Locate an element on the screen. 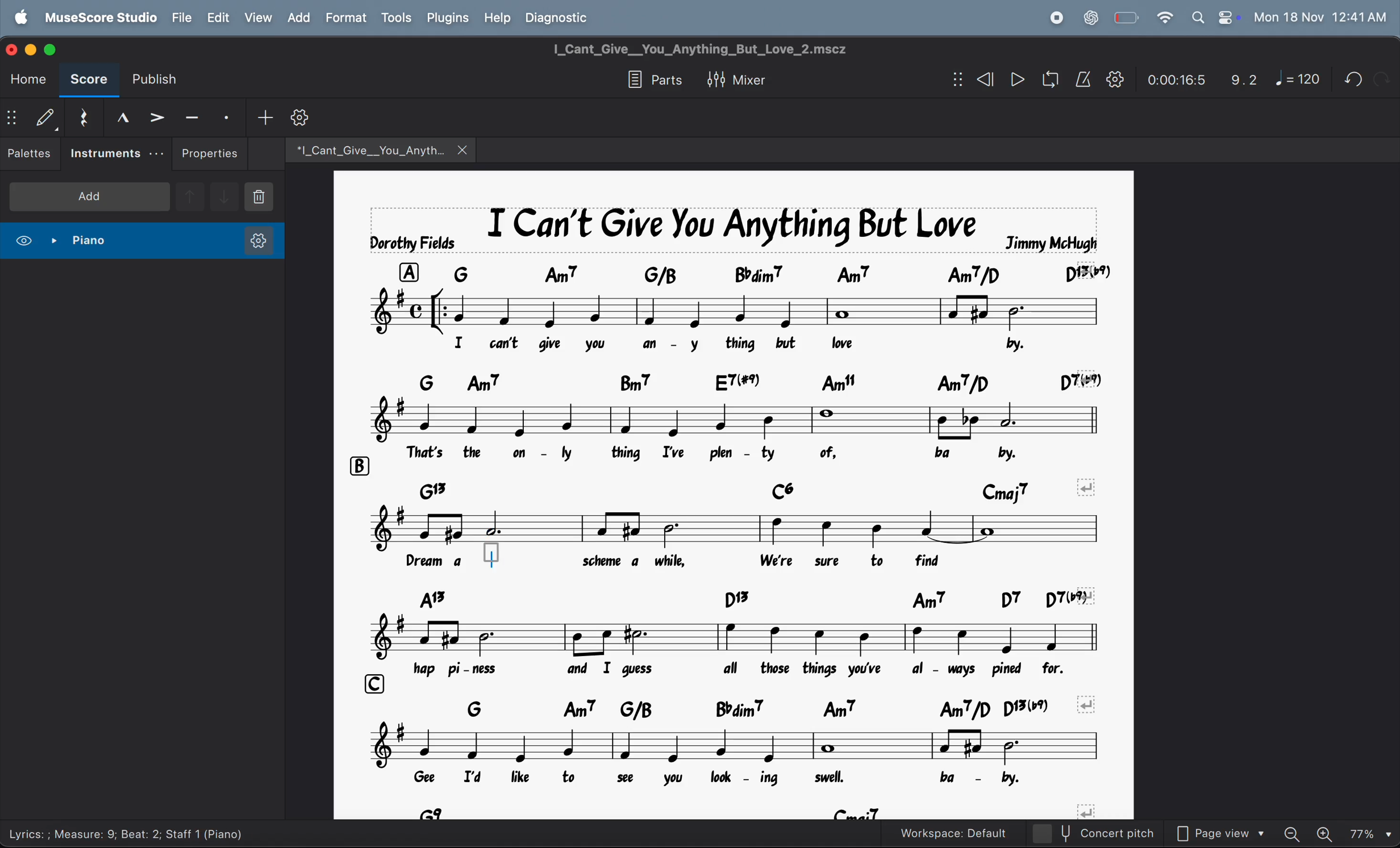 This screenshot has width=1400, height=848. chat gpt is located at coordinates (1088, 16).